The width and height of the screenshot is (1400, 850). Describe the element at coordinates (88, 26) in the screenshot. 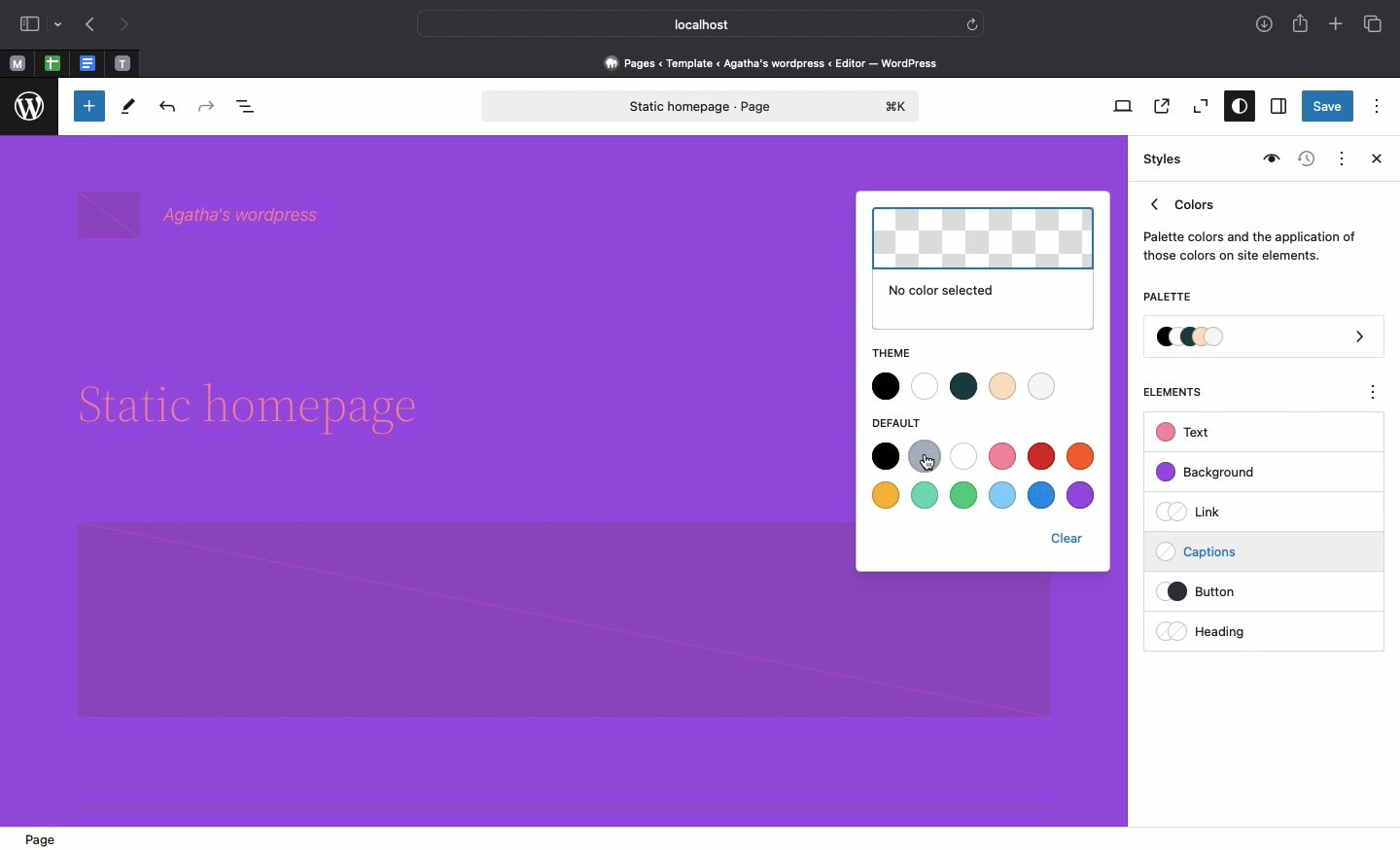

I see `Previous page` at that location.